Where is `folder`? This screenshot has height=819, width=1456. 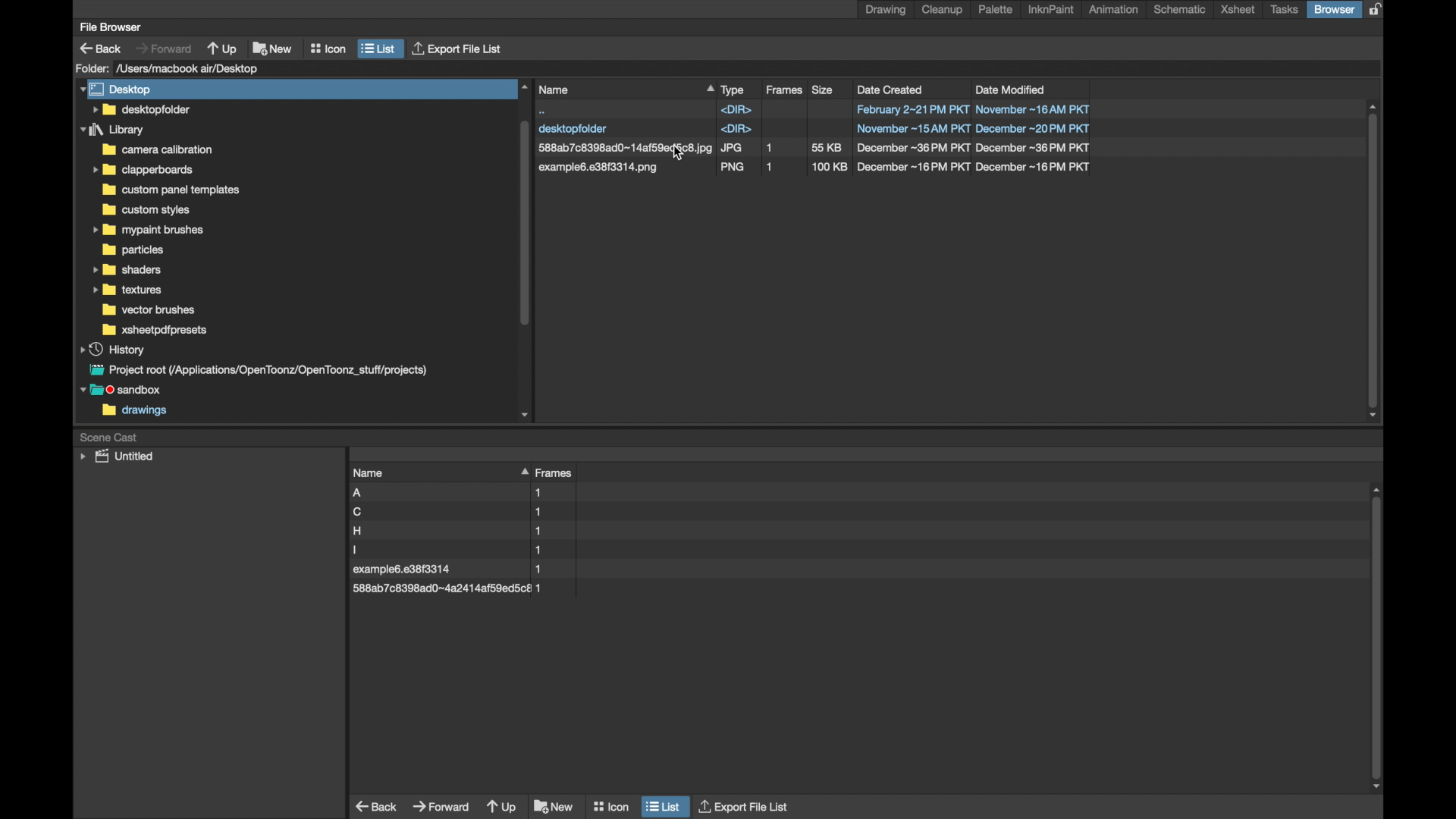
folder is located at coordinates (151, 310).